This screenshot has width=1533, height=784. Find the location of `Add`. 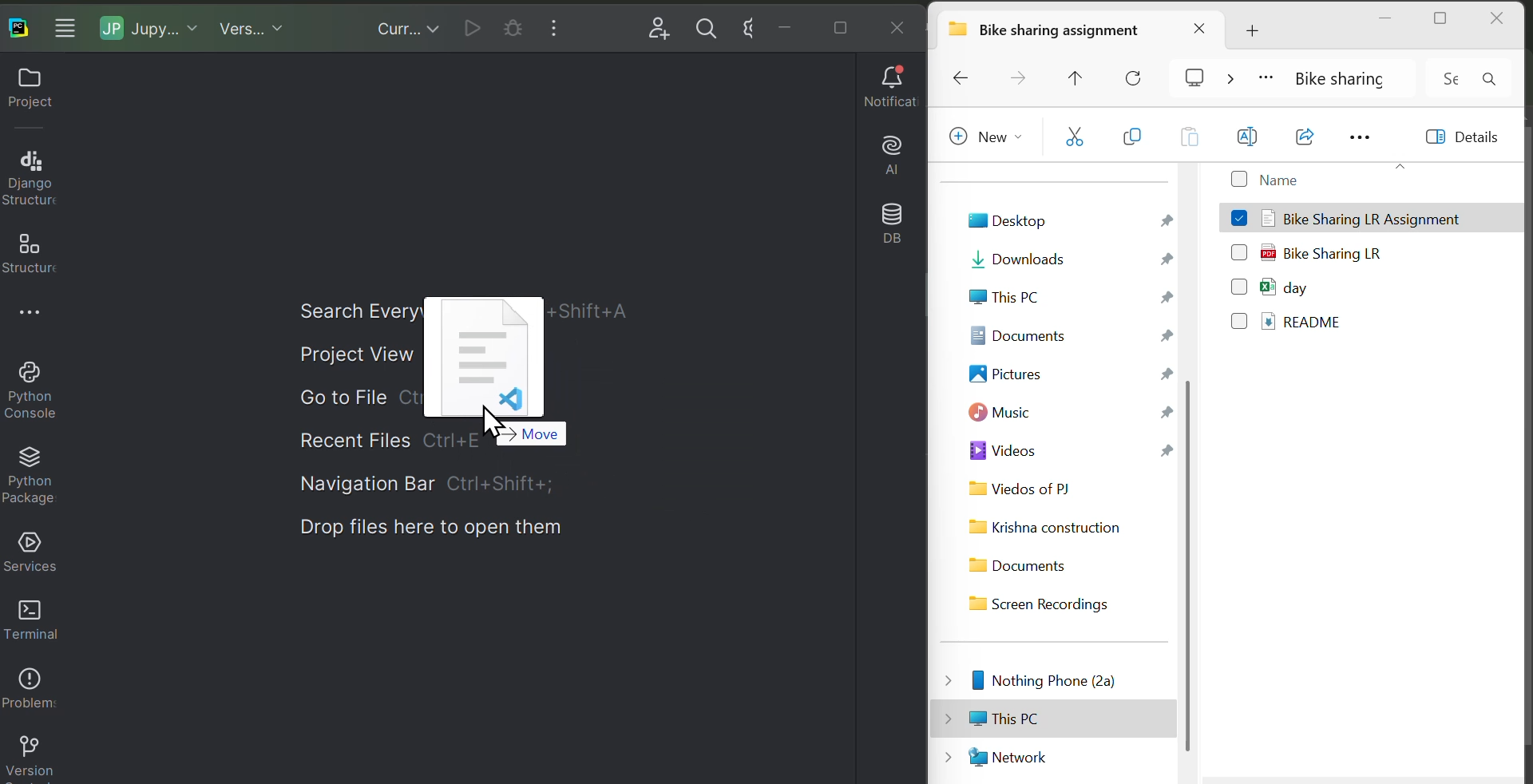

Add is located at coordinates (1269, 26).